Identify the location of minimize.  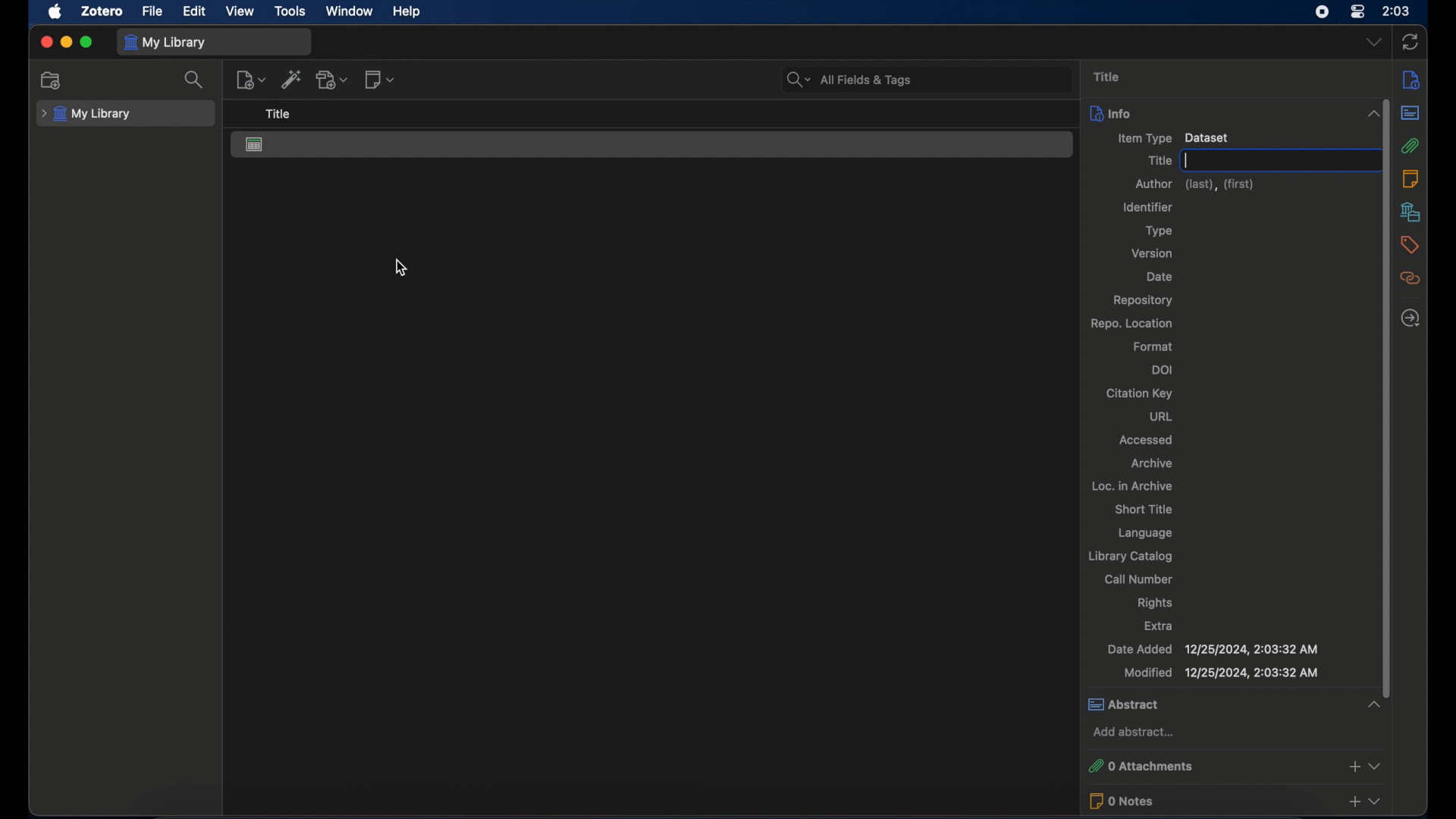
(67, 42).